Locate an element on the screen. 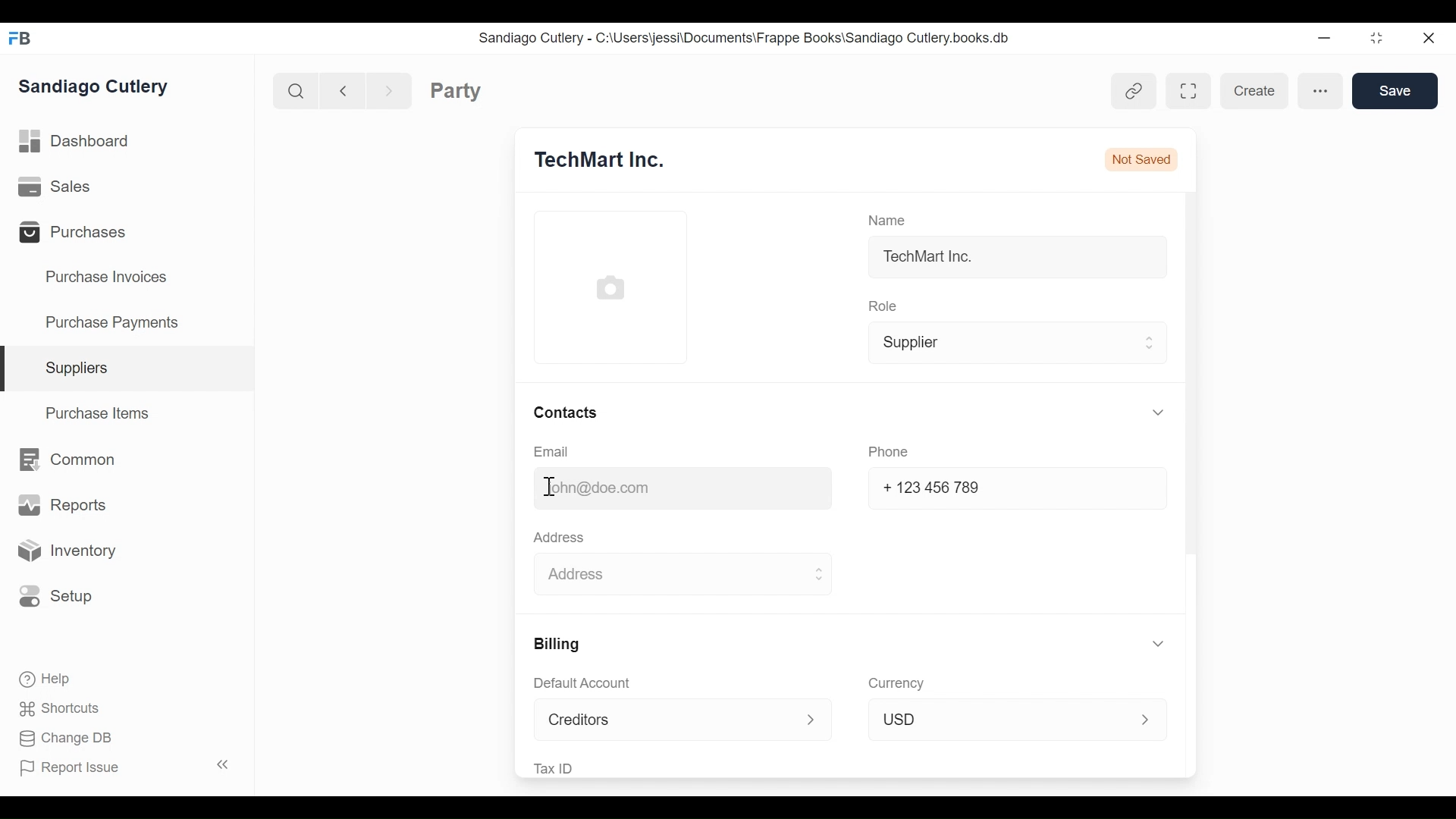 The width and height of the screenshot is (1456, 819). Role is located at coordinates (882, 306).